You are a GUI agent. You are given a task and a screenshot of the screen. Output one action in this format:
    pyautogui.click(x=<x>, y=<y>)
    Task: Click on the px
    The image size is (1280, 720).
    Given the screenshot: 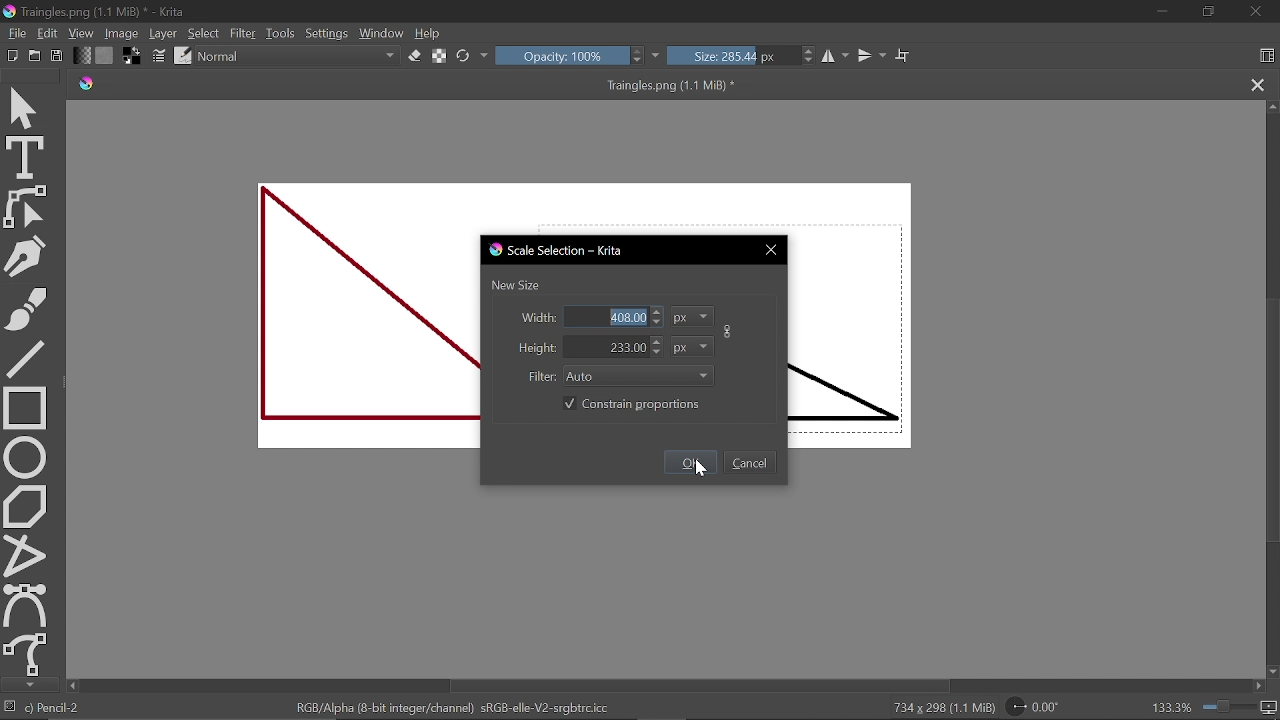 What is the action you would take?
    pyautogui.click(x=692, y=346)
    